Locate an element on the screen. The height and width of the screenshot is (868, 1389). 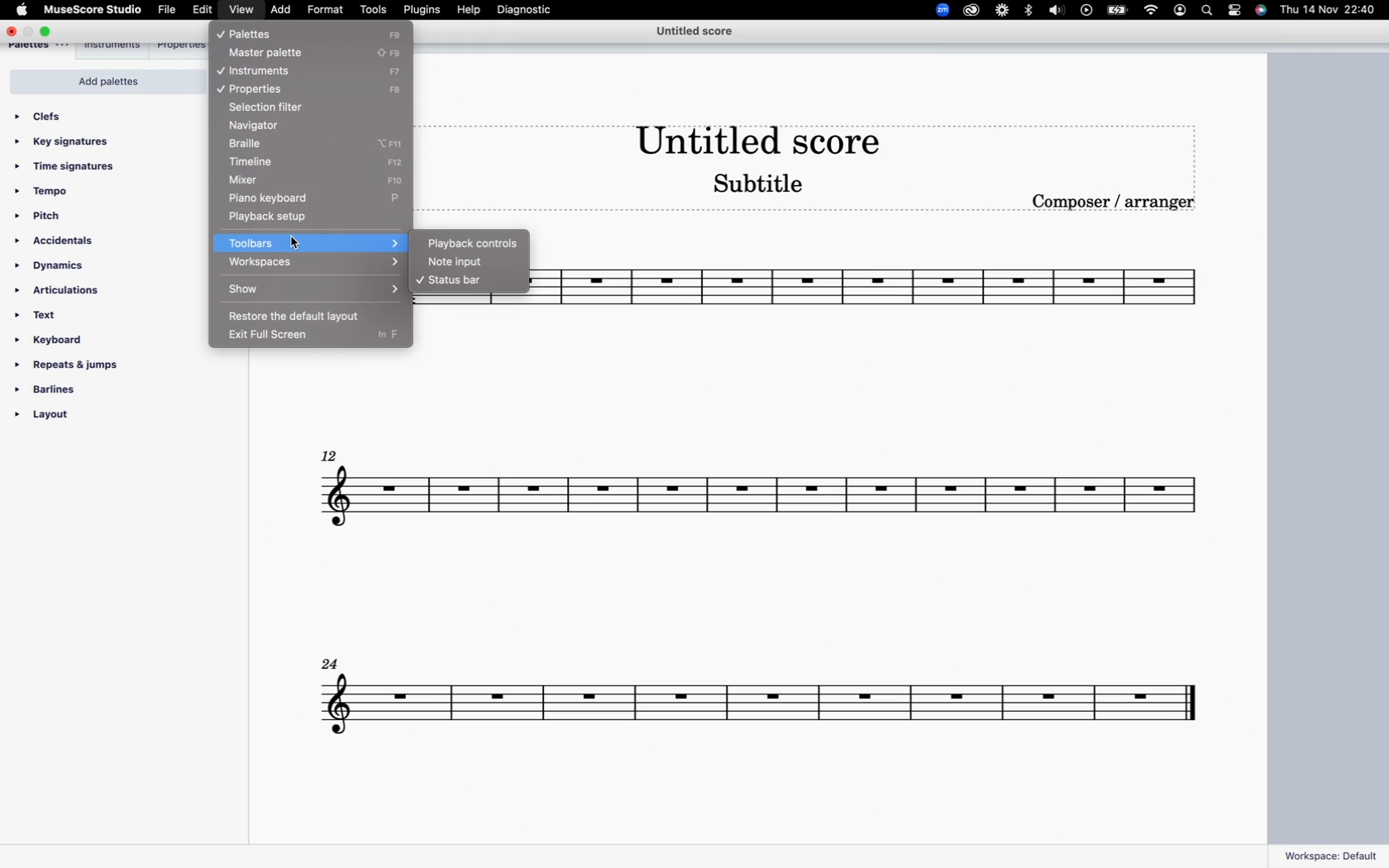
apple is located at coordinates (22, 11).